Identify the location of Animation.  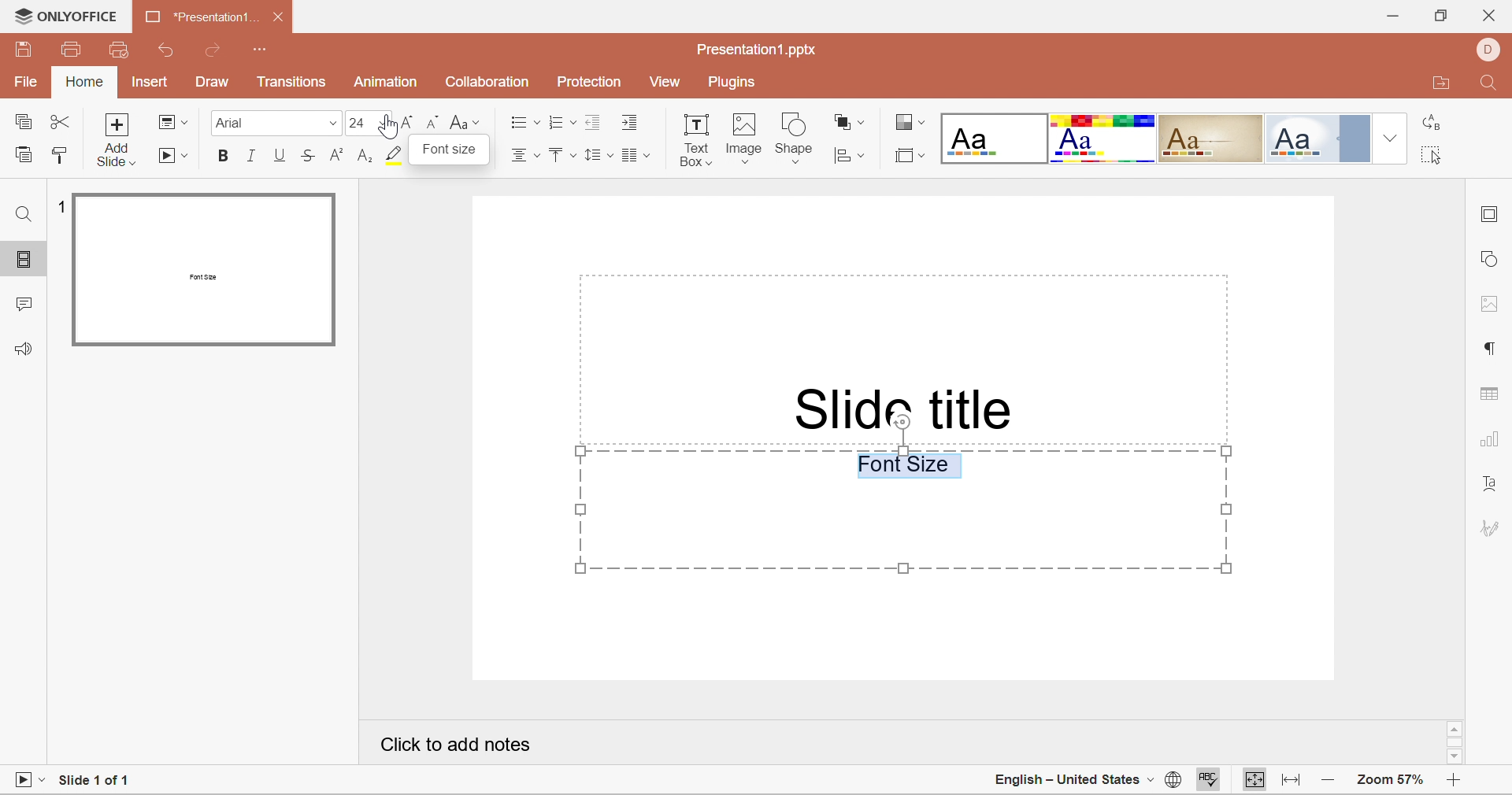
(385, 82).